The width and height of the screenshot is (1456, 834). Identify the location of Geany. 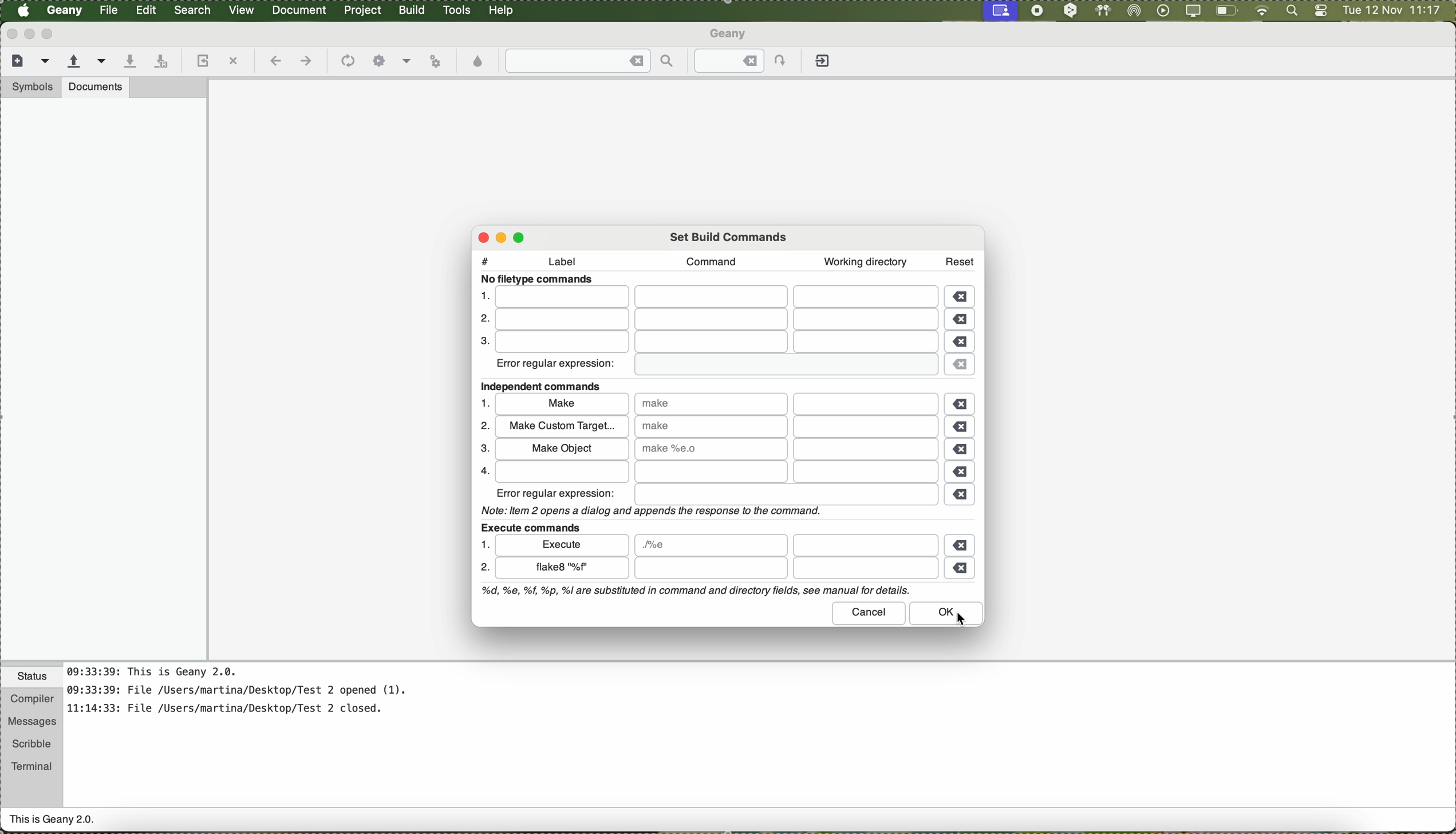
(730, 35).